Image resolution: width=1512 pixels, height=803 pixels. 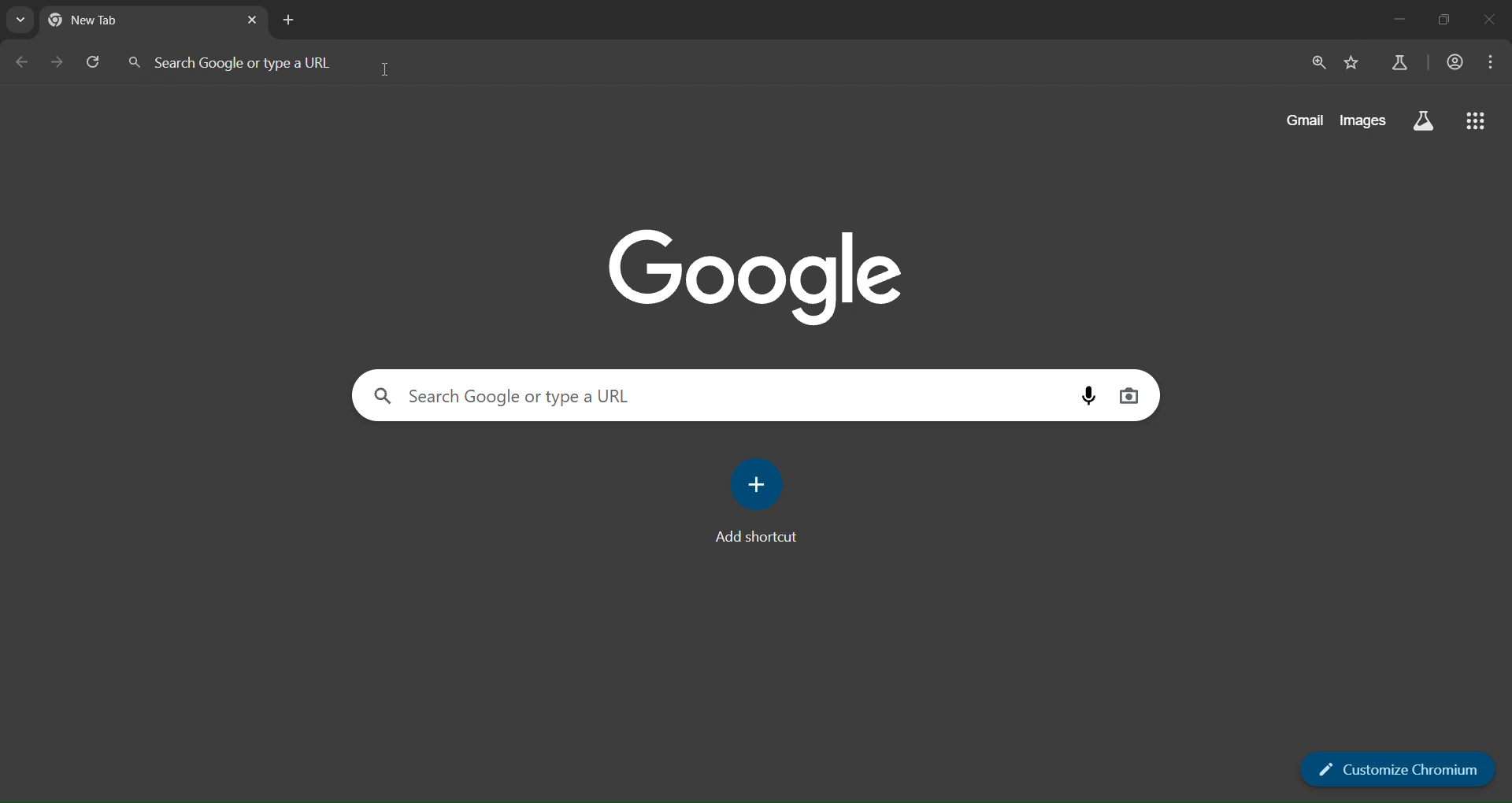 I want to click on search tabs, so click(x=20, y=19).